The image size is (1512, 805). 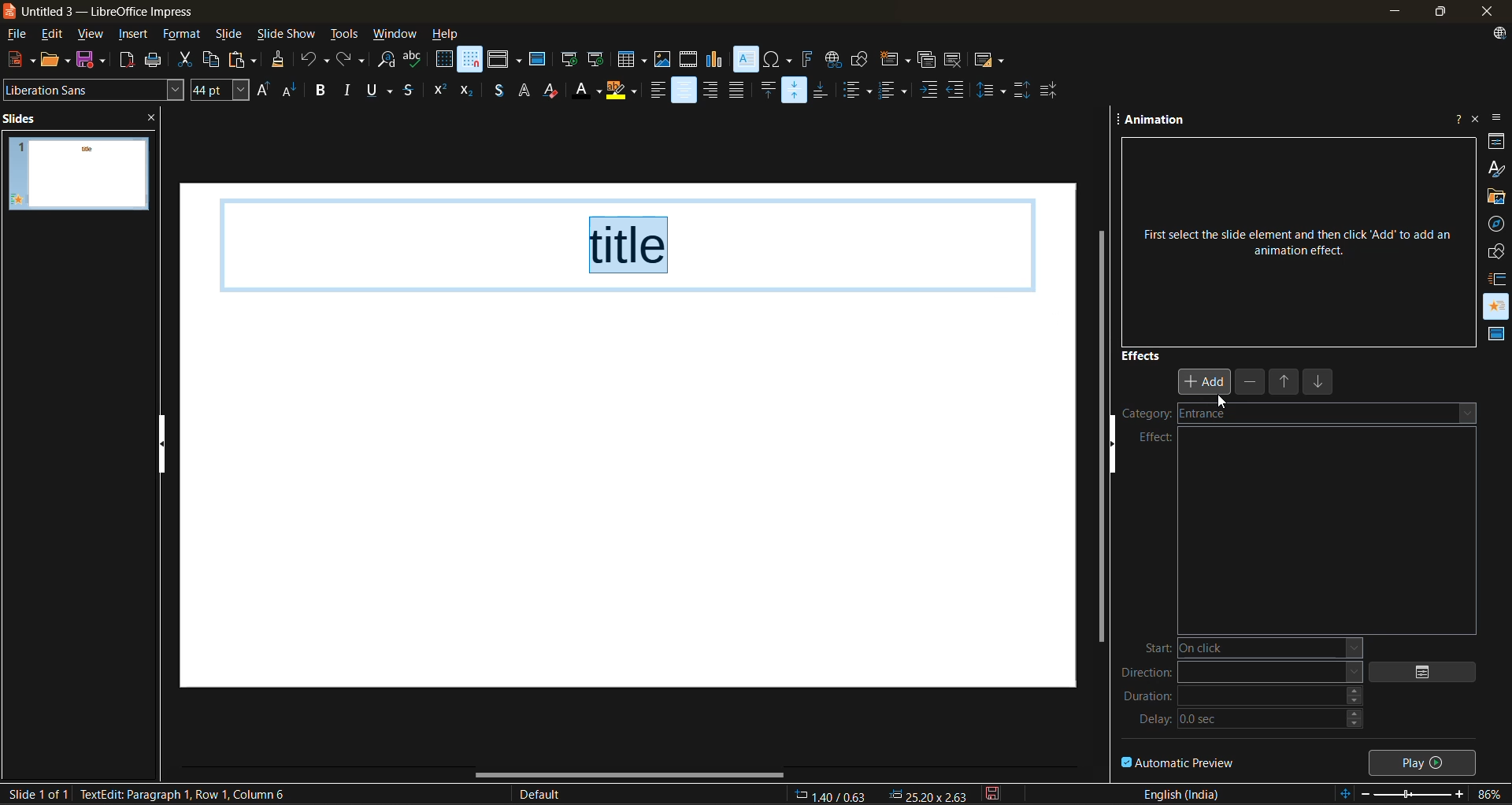 What do you see at coordinates (396, 35) in the screenshot?
I see `window` at bounding box center [396, 35].